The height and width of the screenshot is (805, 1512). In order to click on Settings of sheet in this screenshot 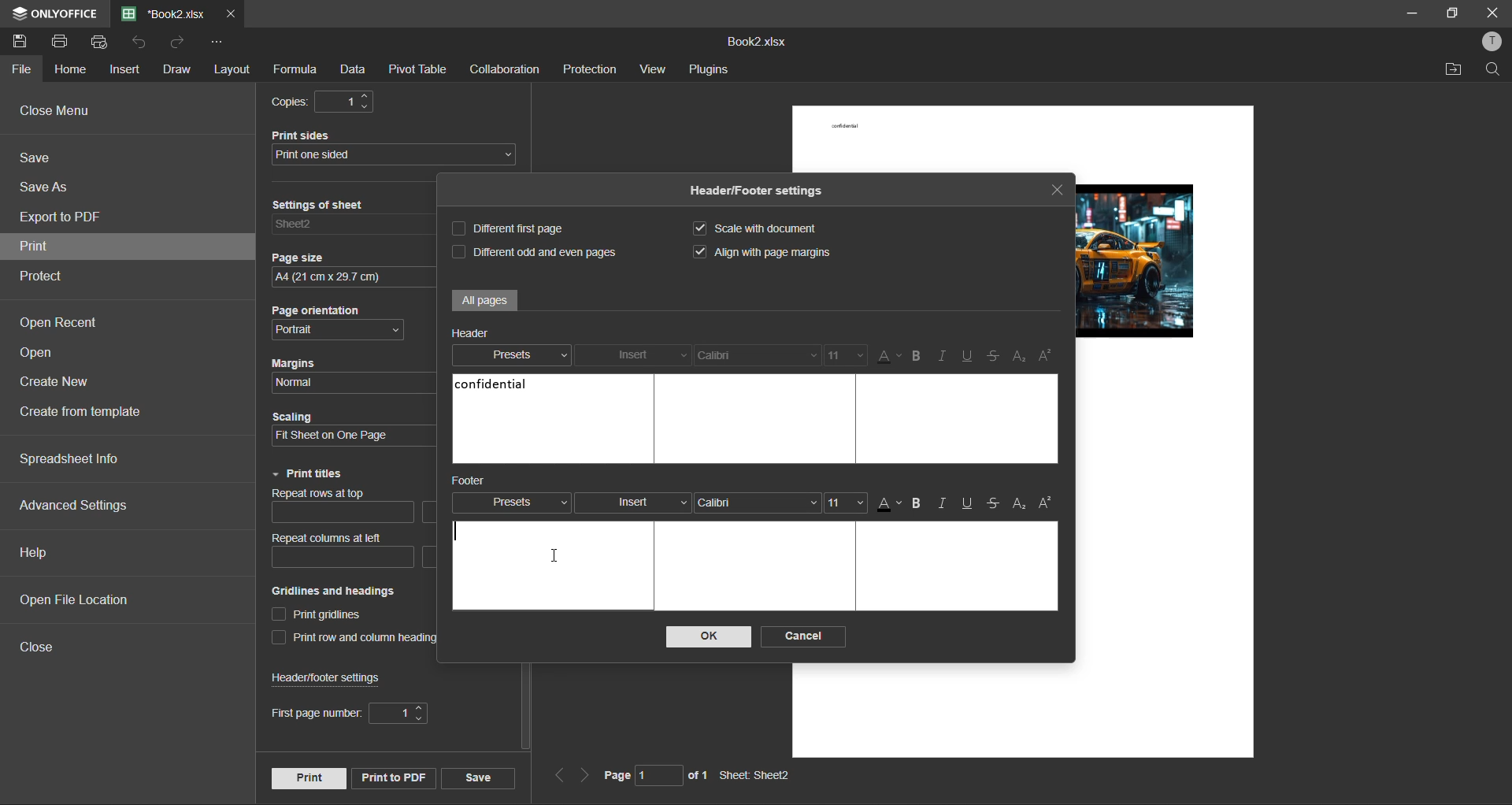, I will do `click(323, 203)`.